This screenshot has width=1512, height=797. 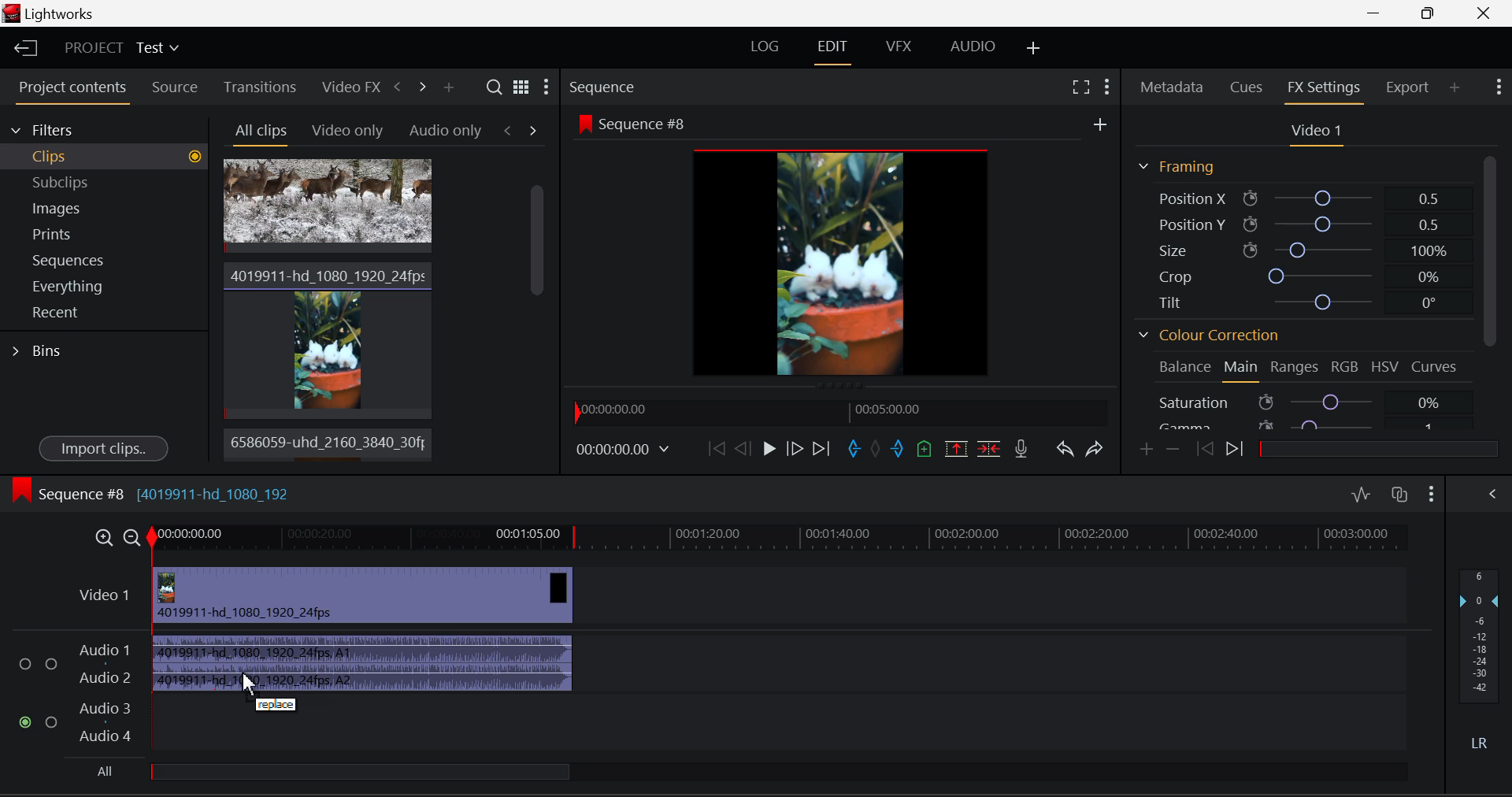 What do you see at coordinates (106, 287) in the screenshot?
I see `Everything` at bounding box center [106, 287].